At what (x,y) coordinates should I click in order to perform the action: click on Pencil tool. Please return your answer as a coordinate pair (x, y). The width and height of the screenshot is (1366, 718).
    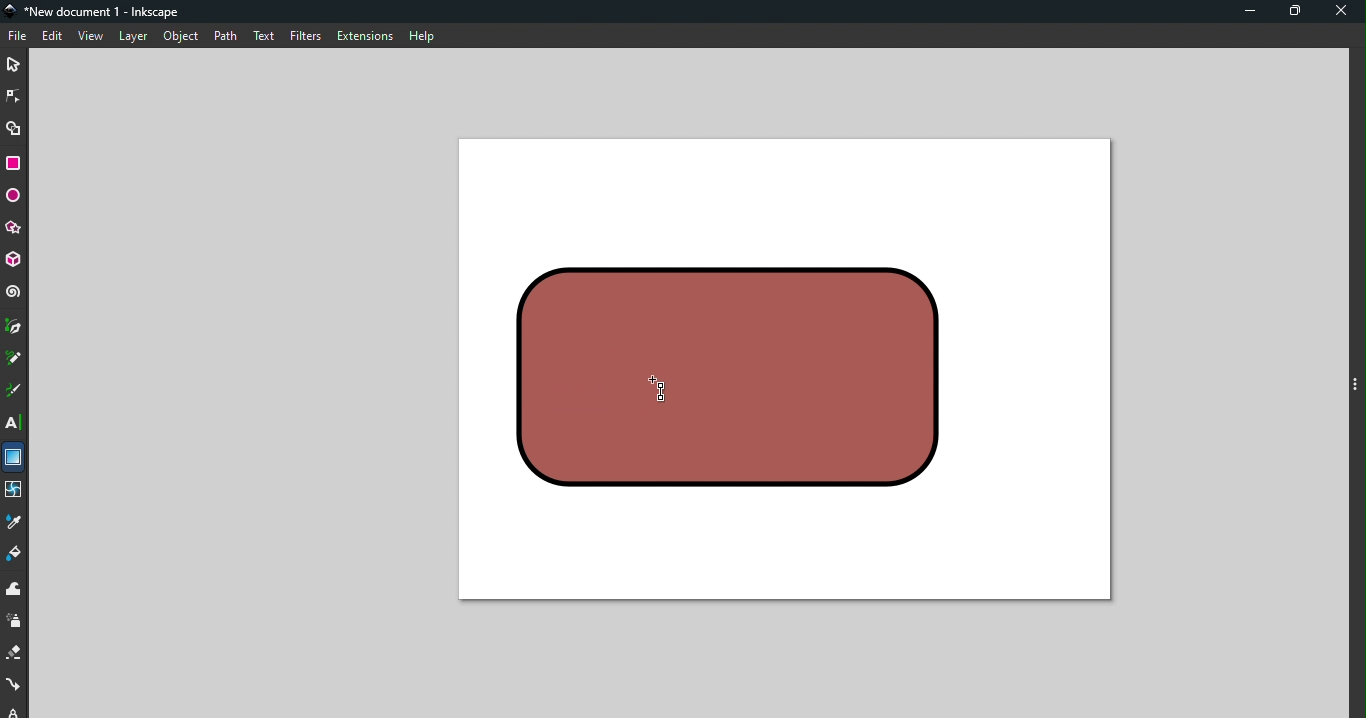
    Looking at the image, I should click on (14, 360).